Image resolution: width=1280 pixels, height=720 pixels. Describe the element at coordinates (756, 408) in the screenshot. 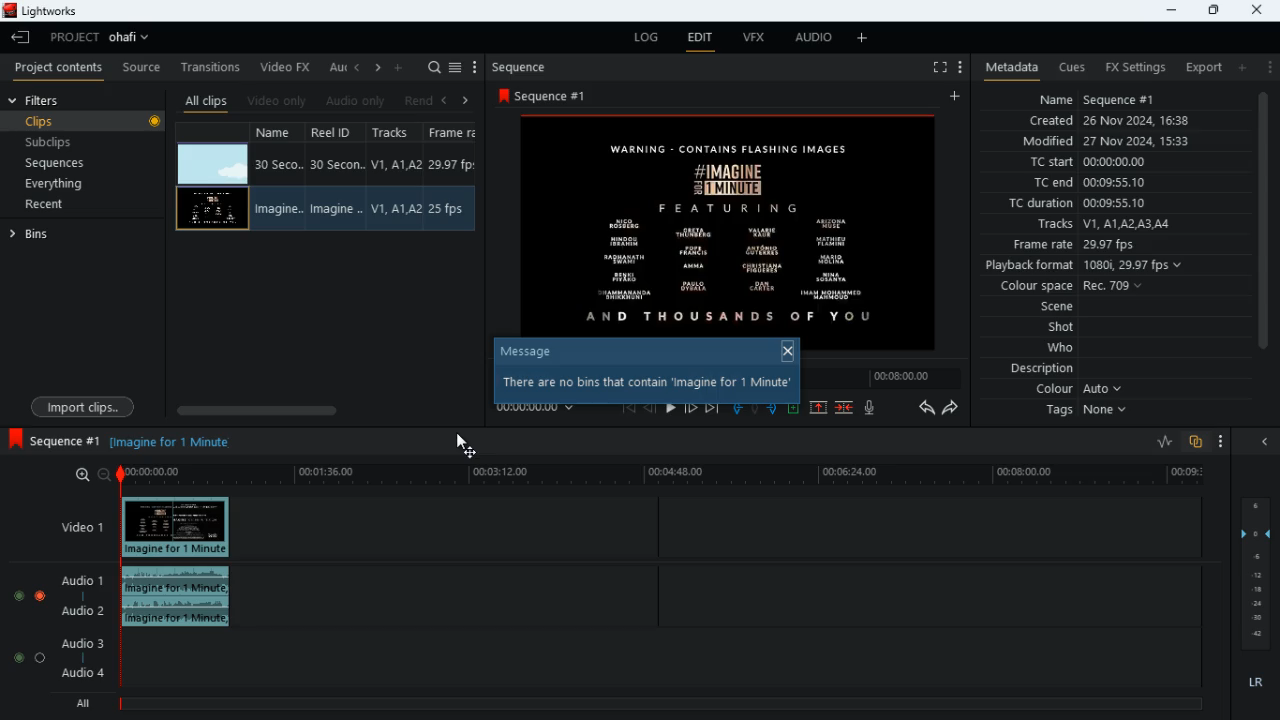

I see `hold` at that location.